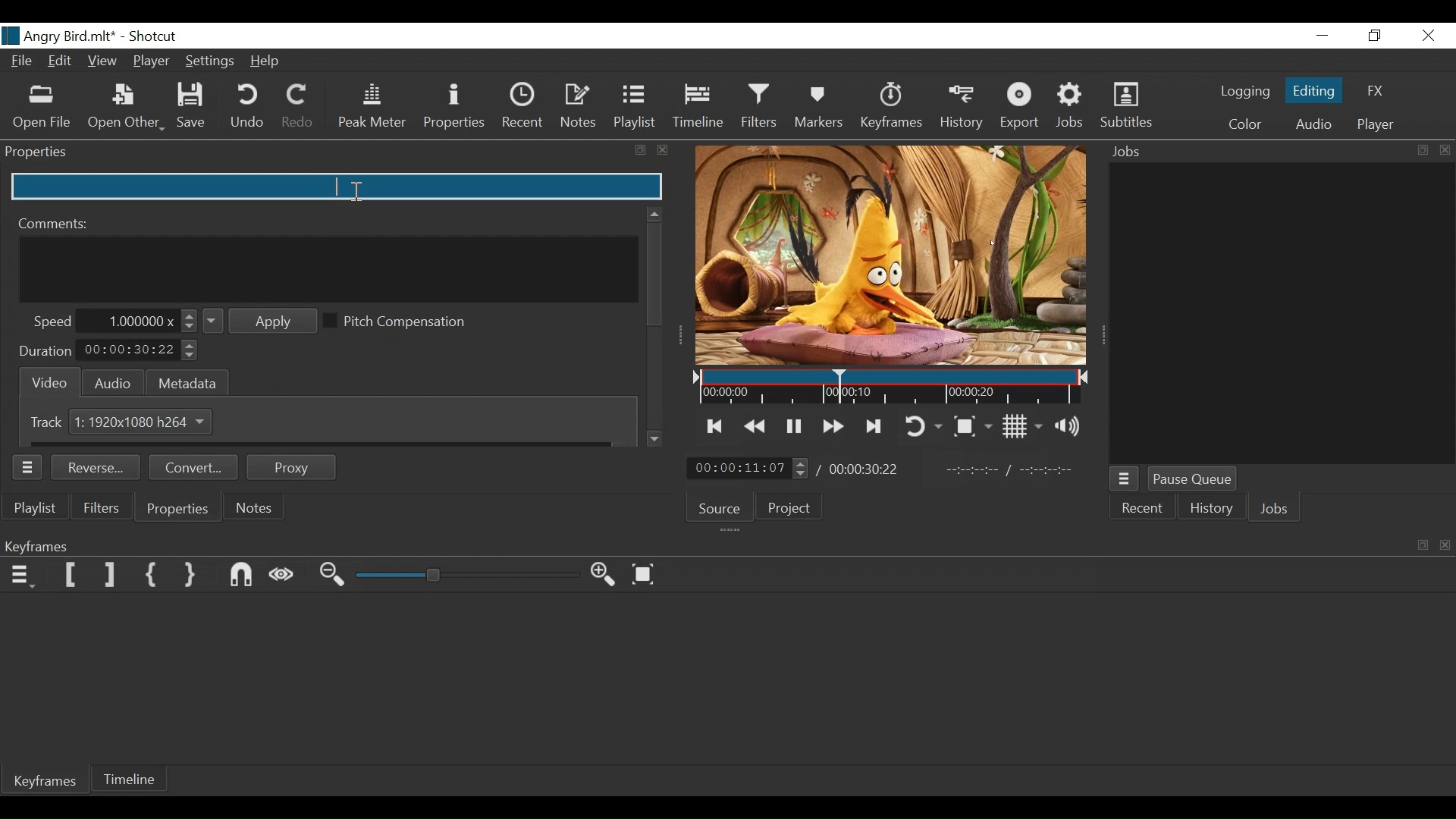  What do you see at coordinates (330, 269) in the screenshot?
I see `Comment Field` at bounding box center [330, 269].